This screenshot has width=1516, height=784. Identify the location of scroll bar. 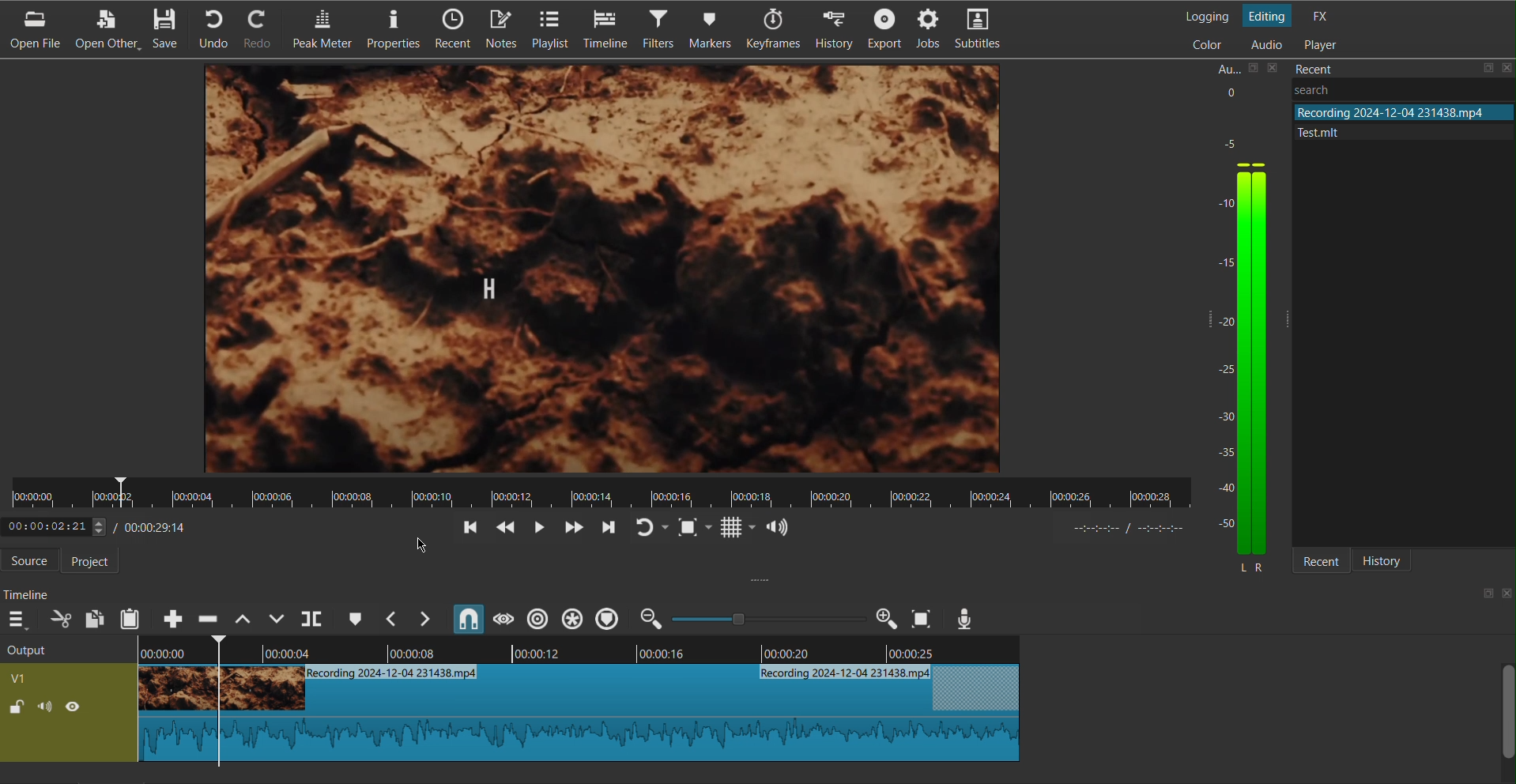
(1507, 709).